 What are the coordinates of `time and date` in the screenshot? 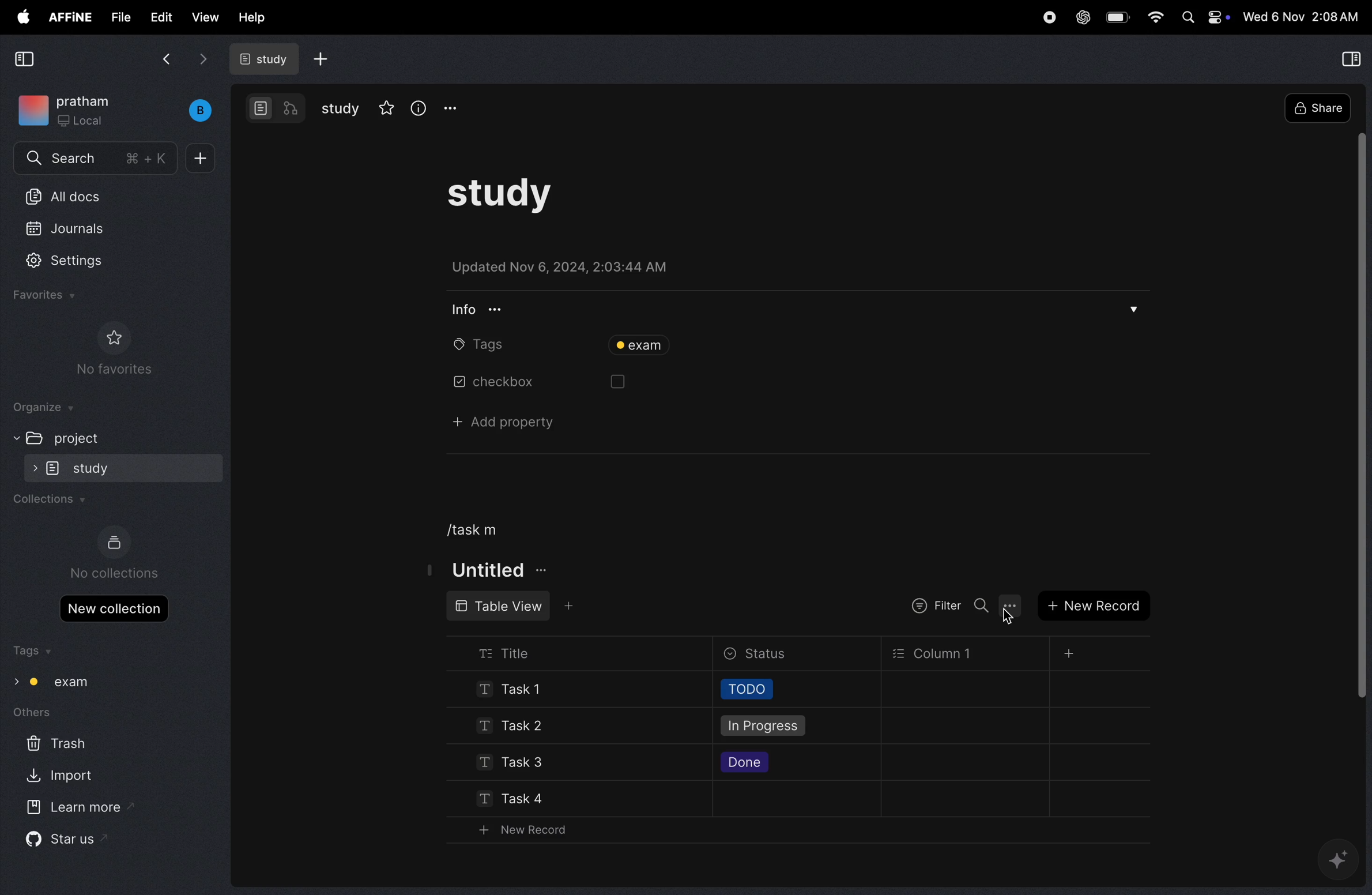 It's located at (1304, 17).